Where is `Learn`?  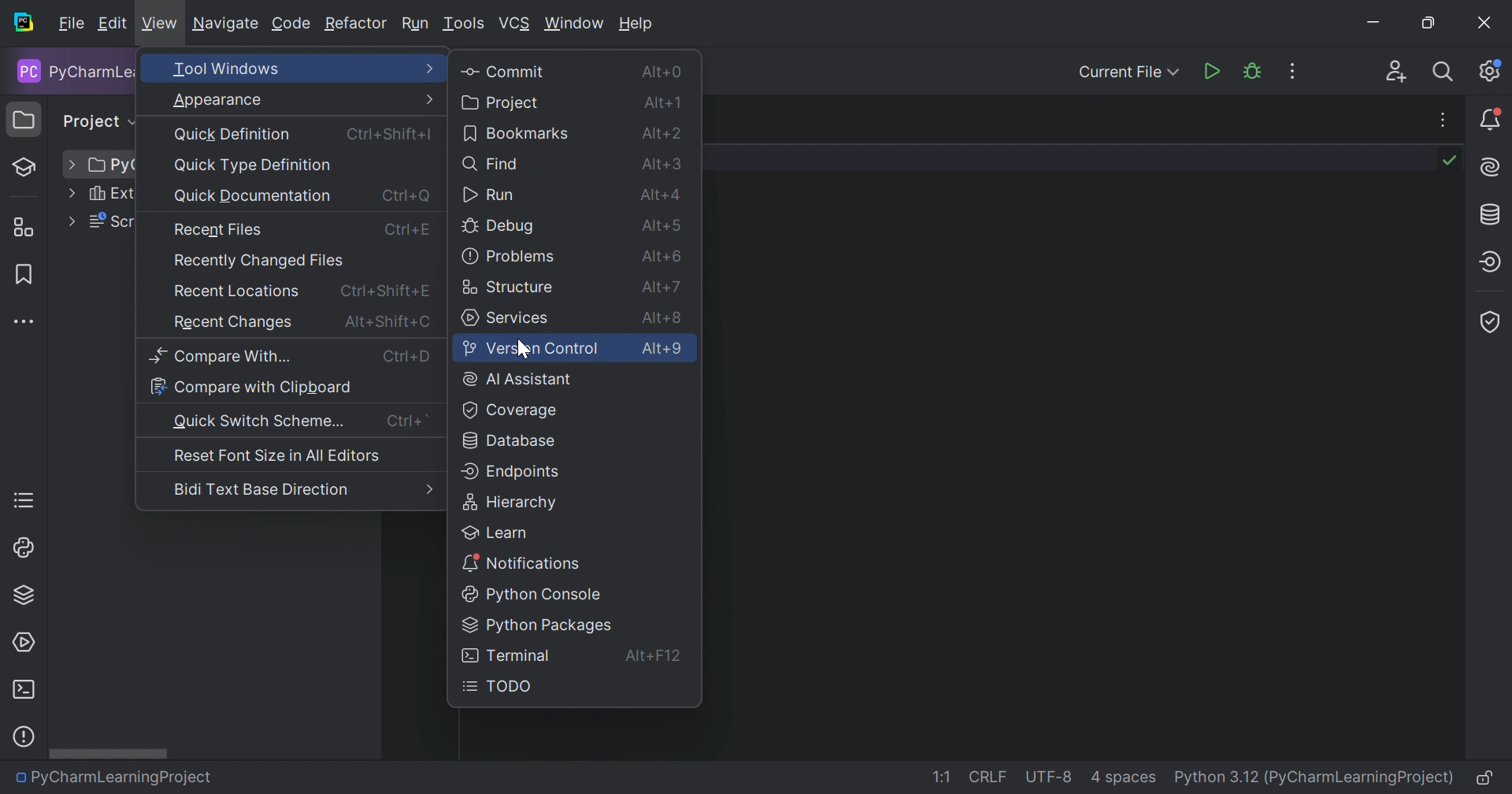
Learn is located at coordinates (31, 167).